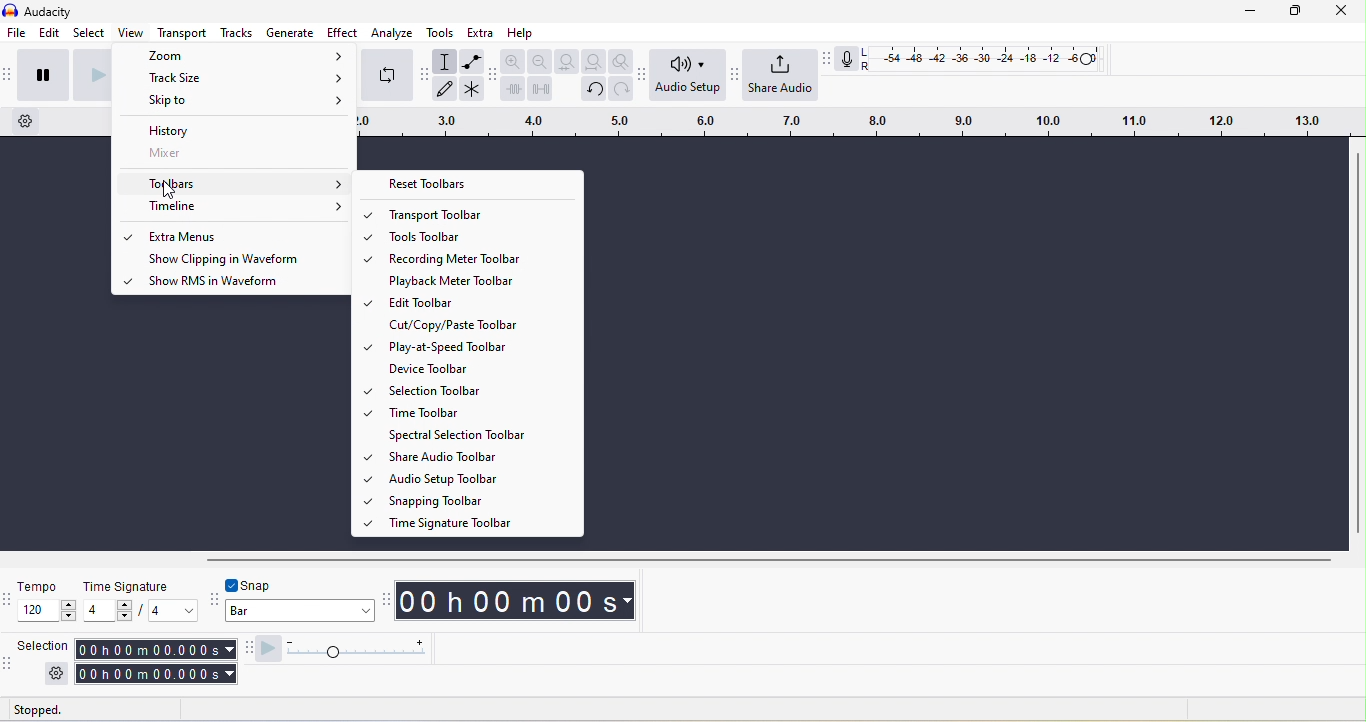 This screenshot has height=722, width=1366. What do you see at coordinates (8, 668) in the screenshot?
I see `selection toolbar` at bounding box center [8, 668].